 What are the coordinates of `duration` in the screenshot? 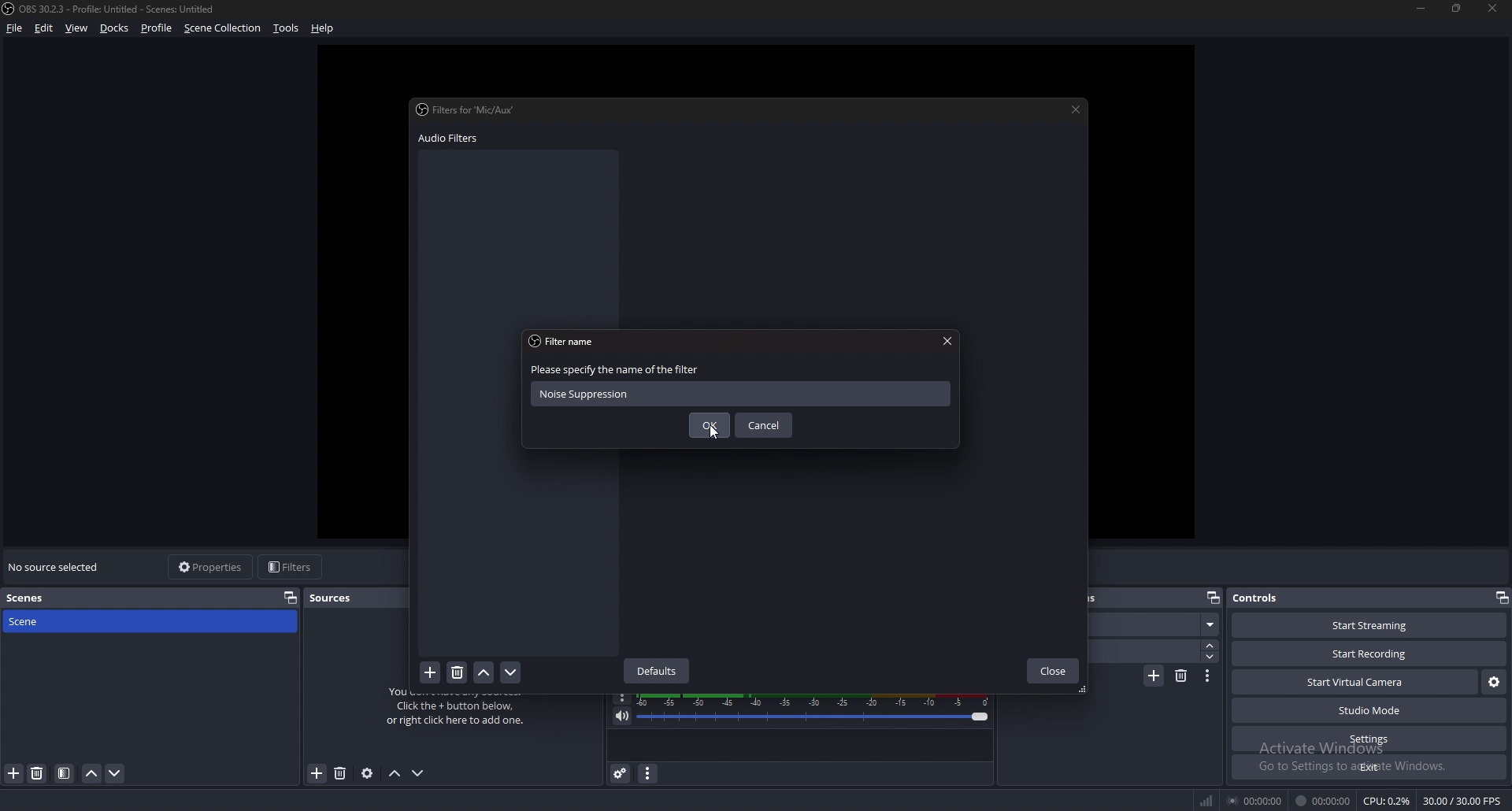 It's located at (1145, 652).